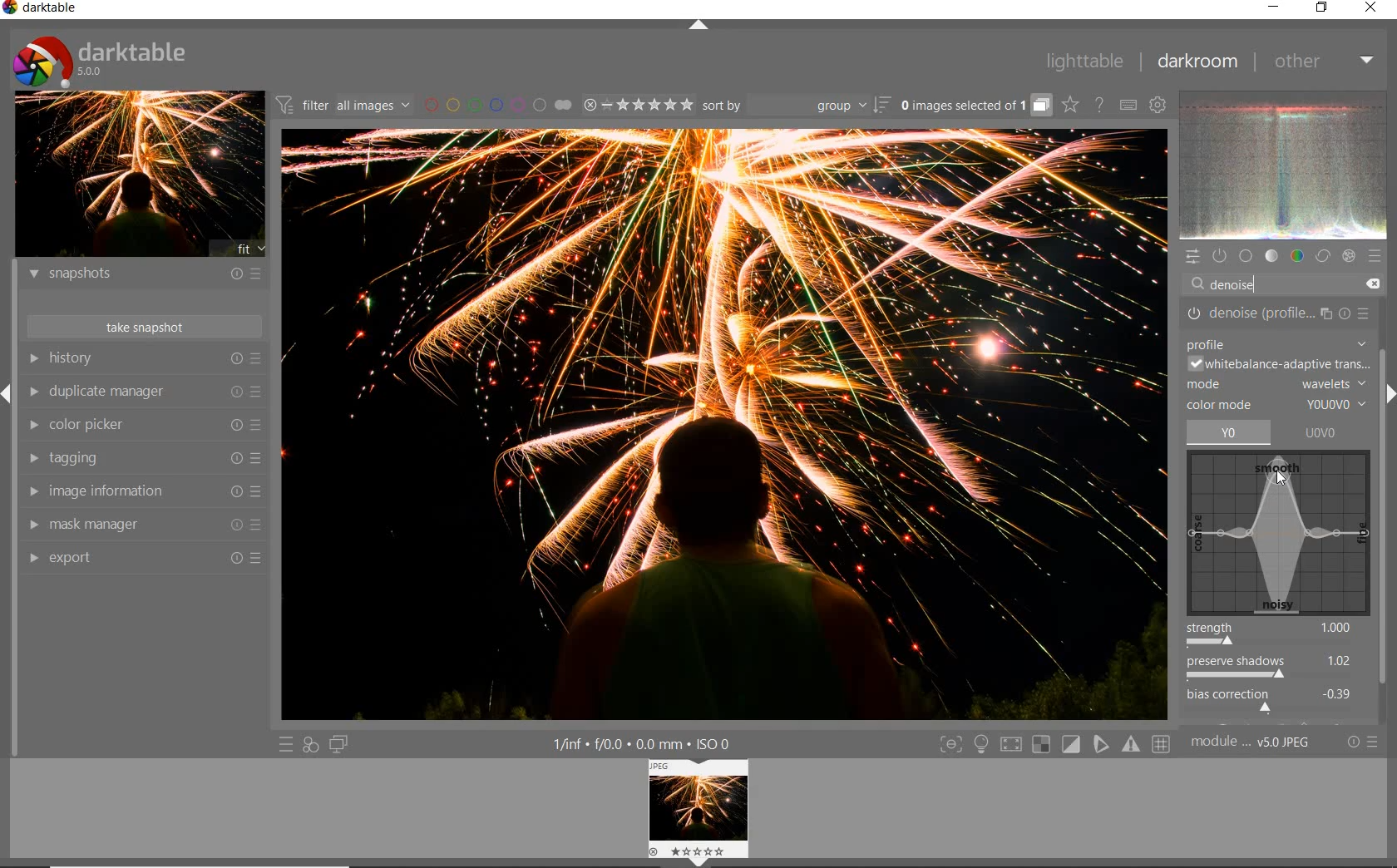 The height and width of the screenshot is (868, 1397). I want to click on other, so click(1325, 62).